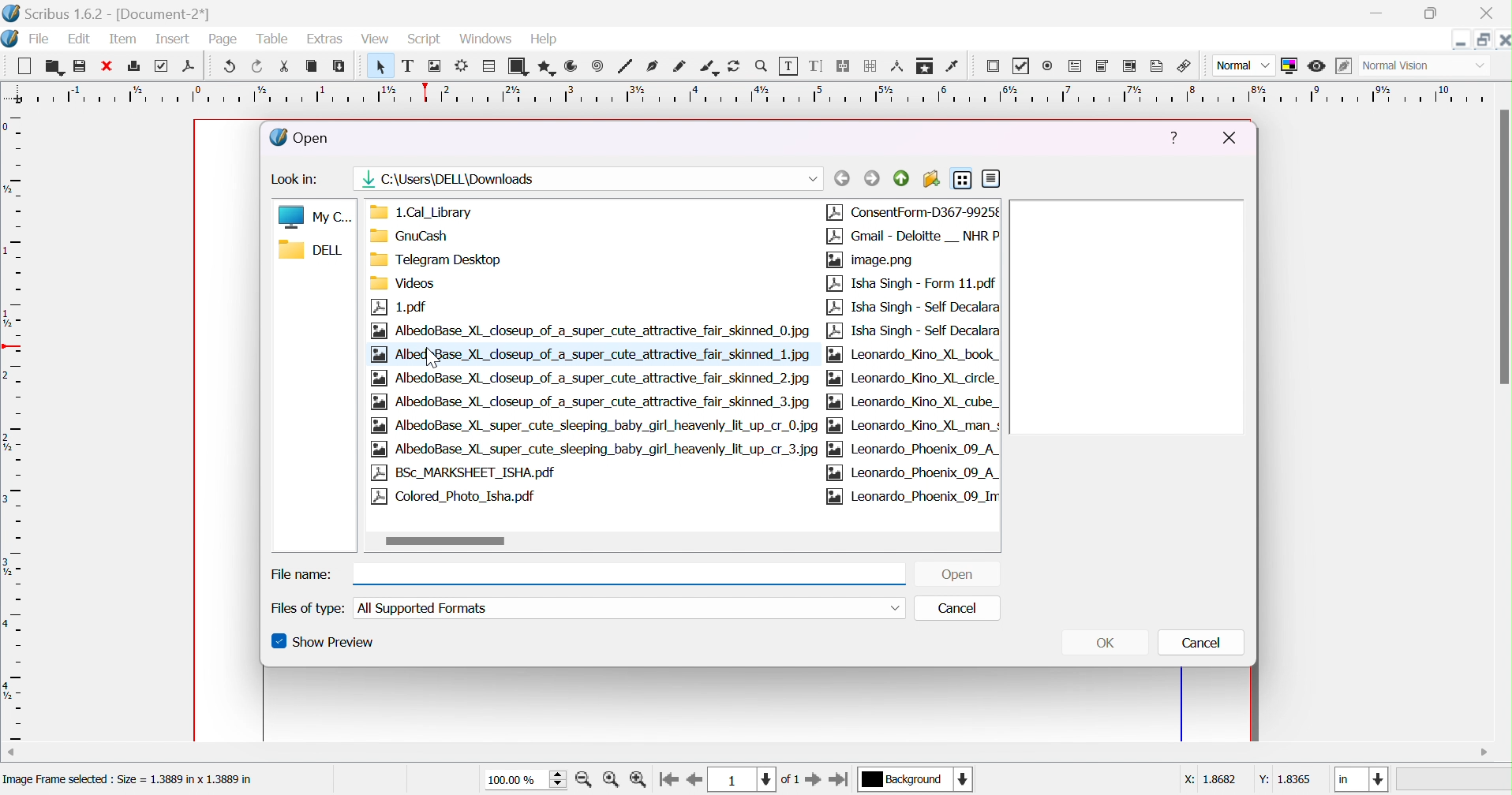 Image resolution: width=1512 pixels, height=795 pixels. Describe the element at coordinates (813, 177) in the screenshot. I see `drop down` at that location.